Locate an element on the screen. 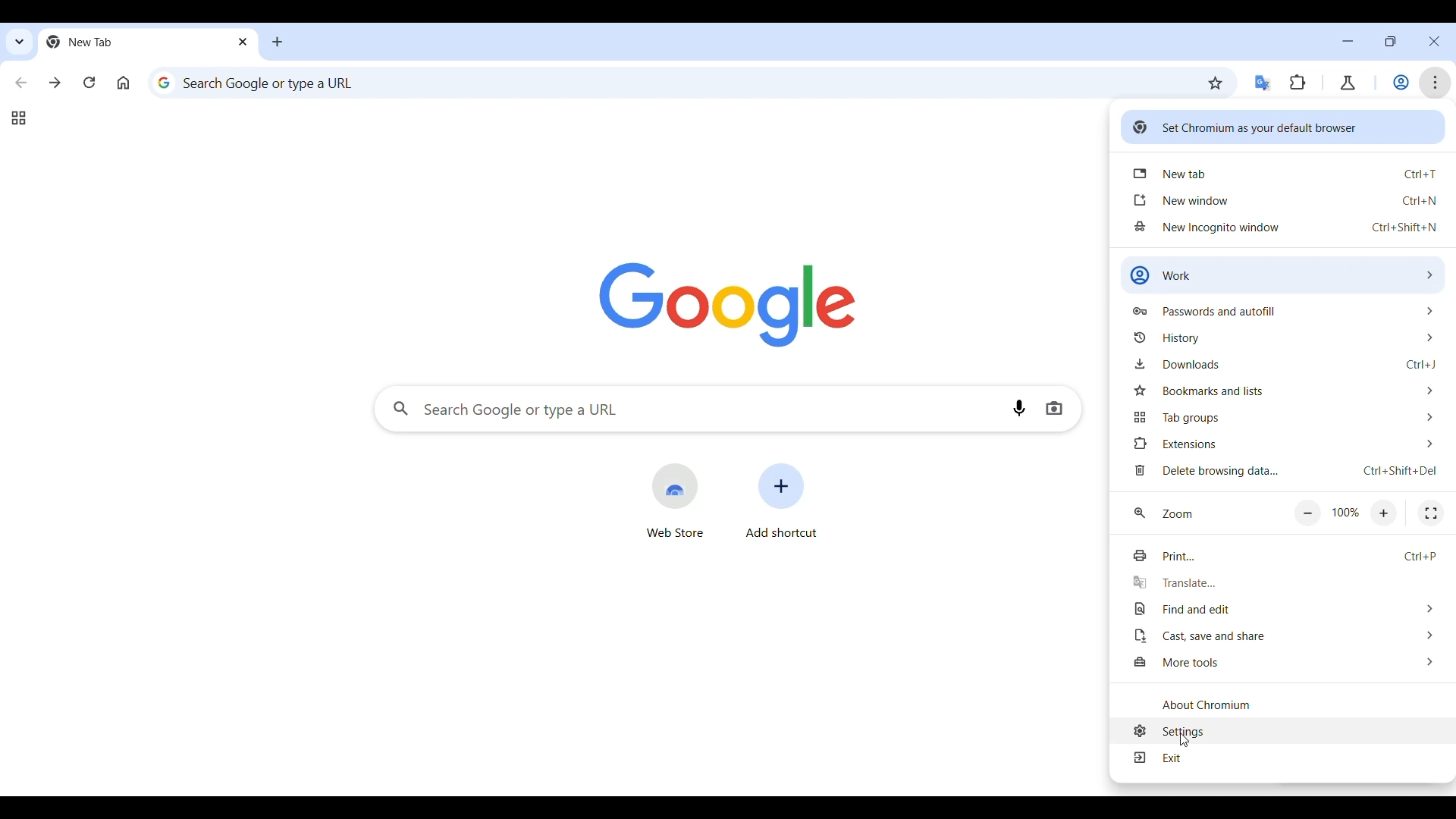  Exit is located at coordinates (1285, 759).